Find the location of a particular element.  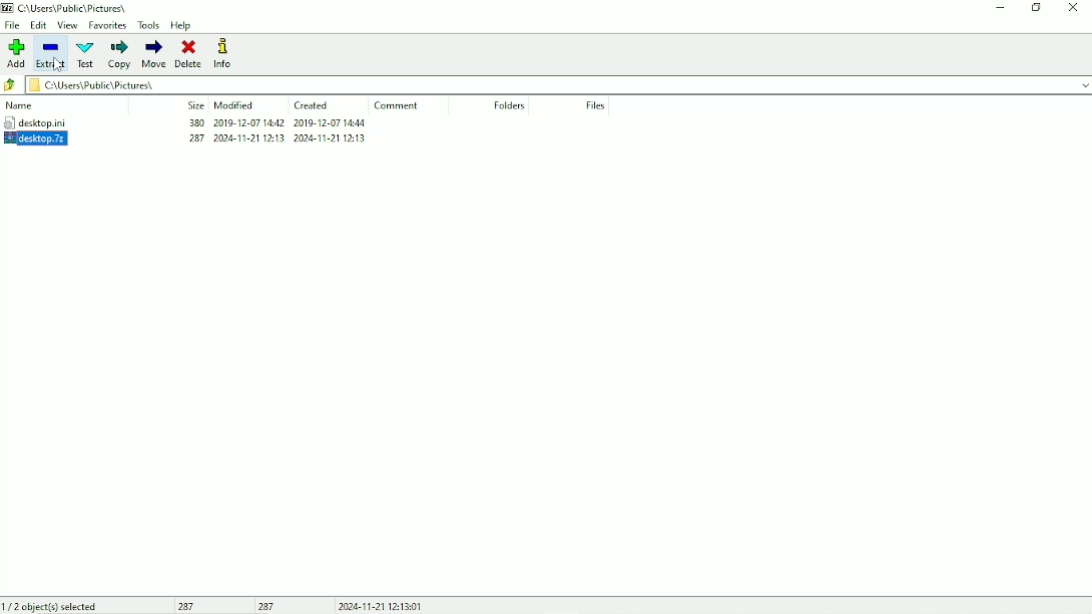

1/2 object(s) selected is located at coordinates (51, 606).